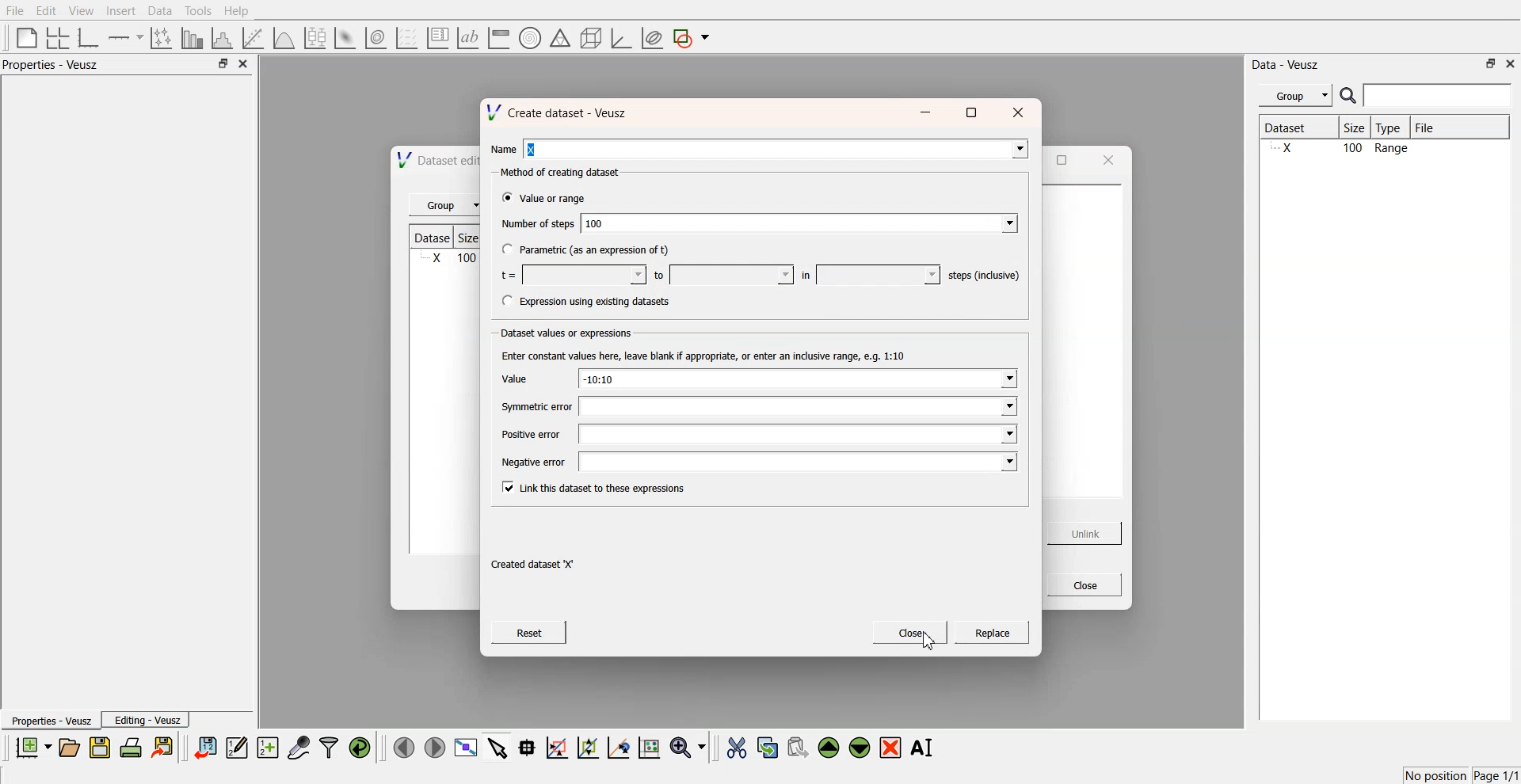  Describe the element at coordinates (778, 147) in the screenshot. I see `X` at that location.